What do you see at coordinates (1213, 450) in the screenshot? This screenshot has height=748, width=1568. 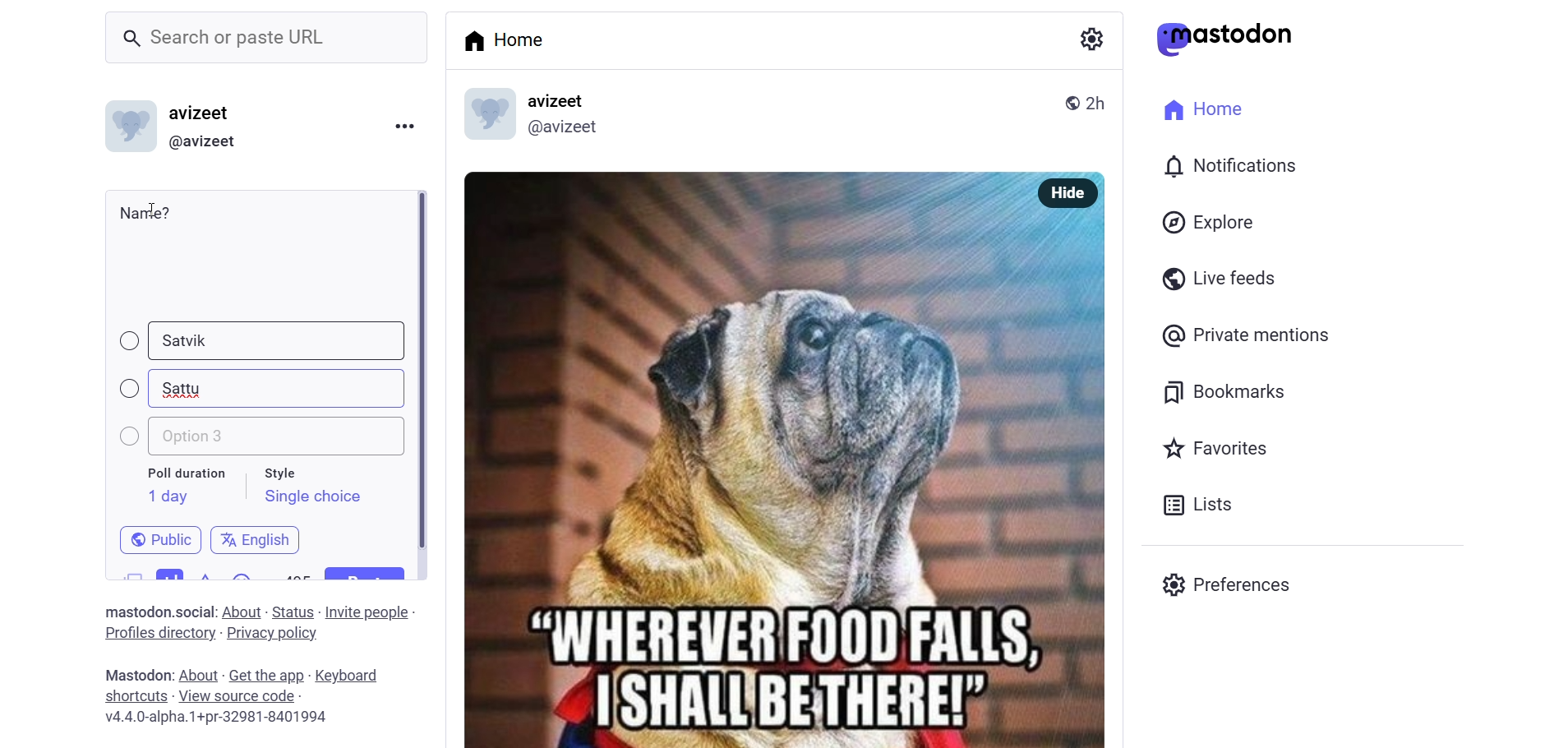 I see `favorite` at bounding box center [1213, 450].